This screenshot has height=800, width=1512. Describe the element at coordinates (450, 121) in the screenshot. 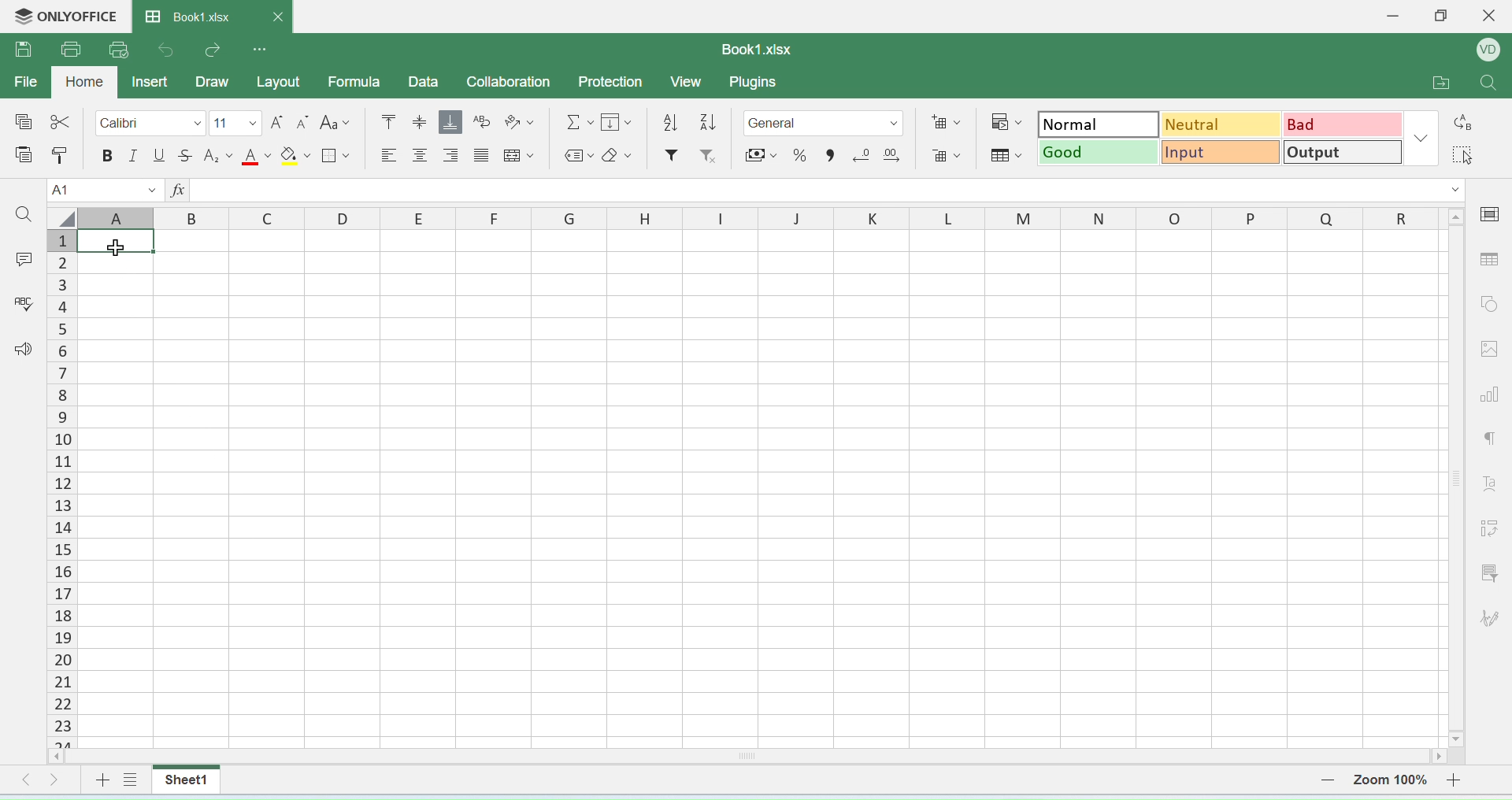

I see `aqlign bottom` at that location.